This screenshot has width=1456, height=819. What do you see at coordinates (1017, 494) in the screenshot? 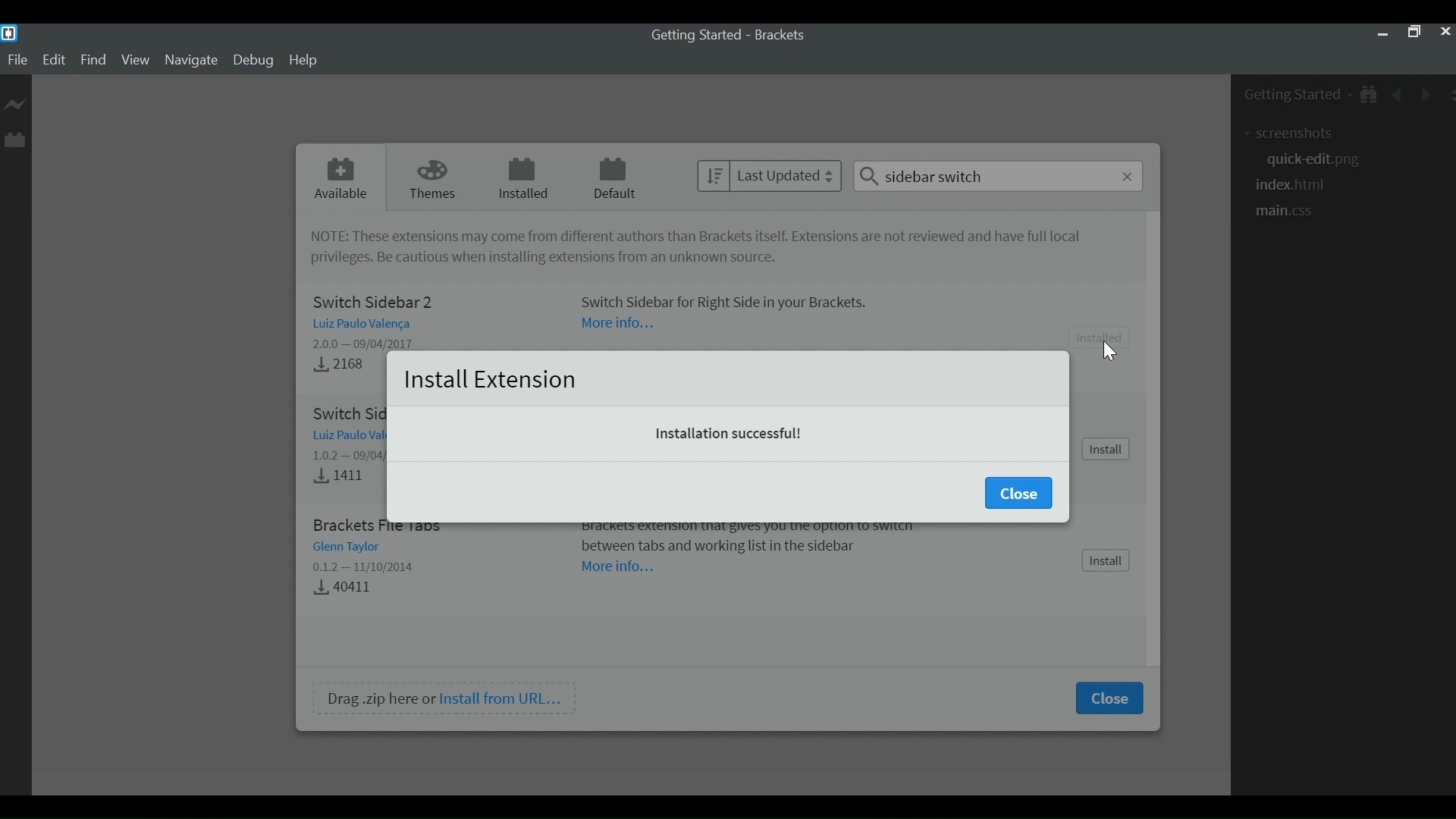
I see `Close` at bounding box center [1017, 494].